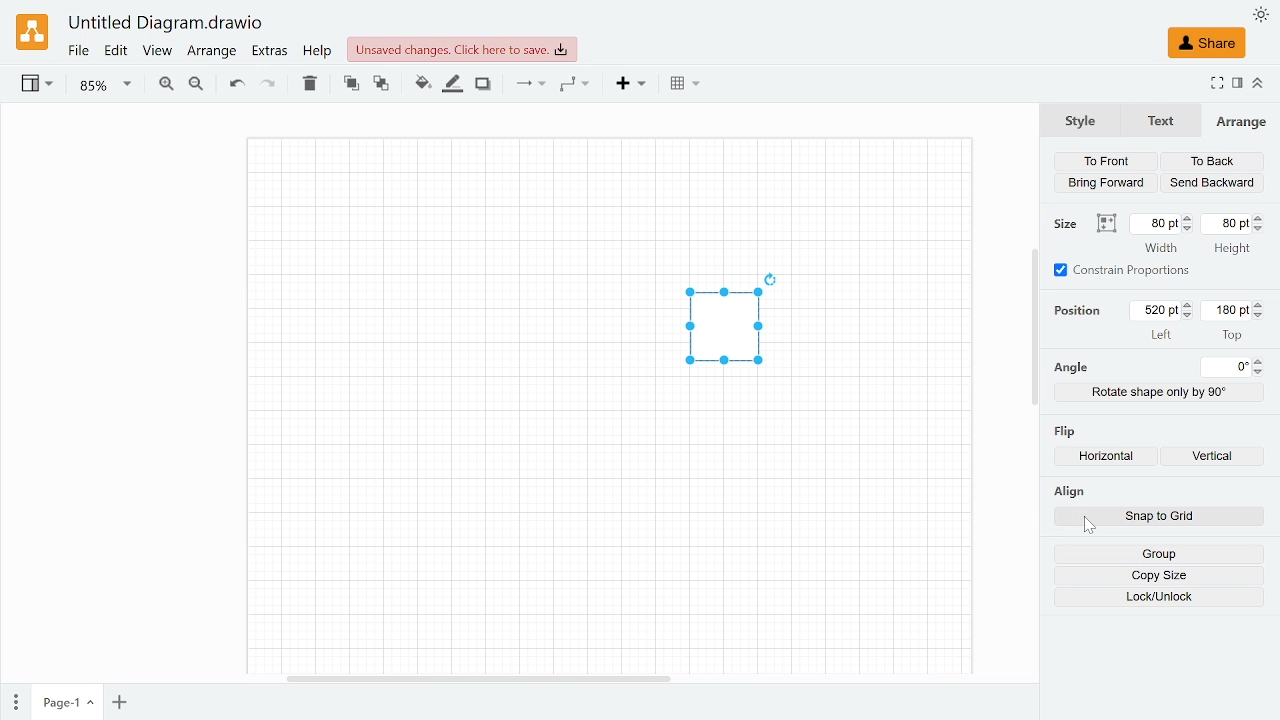  What do you see at coordinates (1160, 392) in the screenshot?
I see `Rotate shape only by 90 degrees` at bounding box center [1160, 392].